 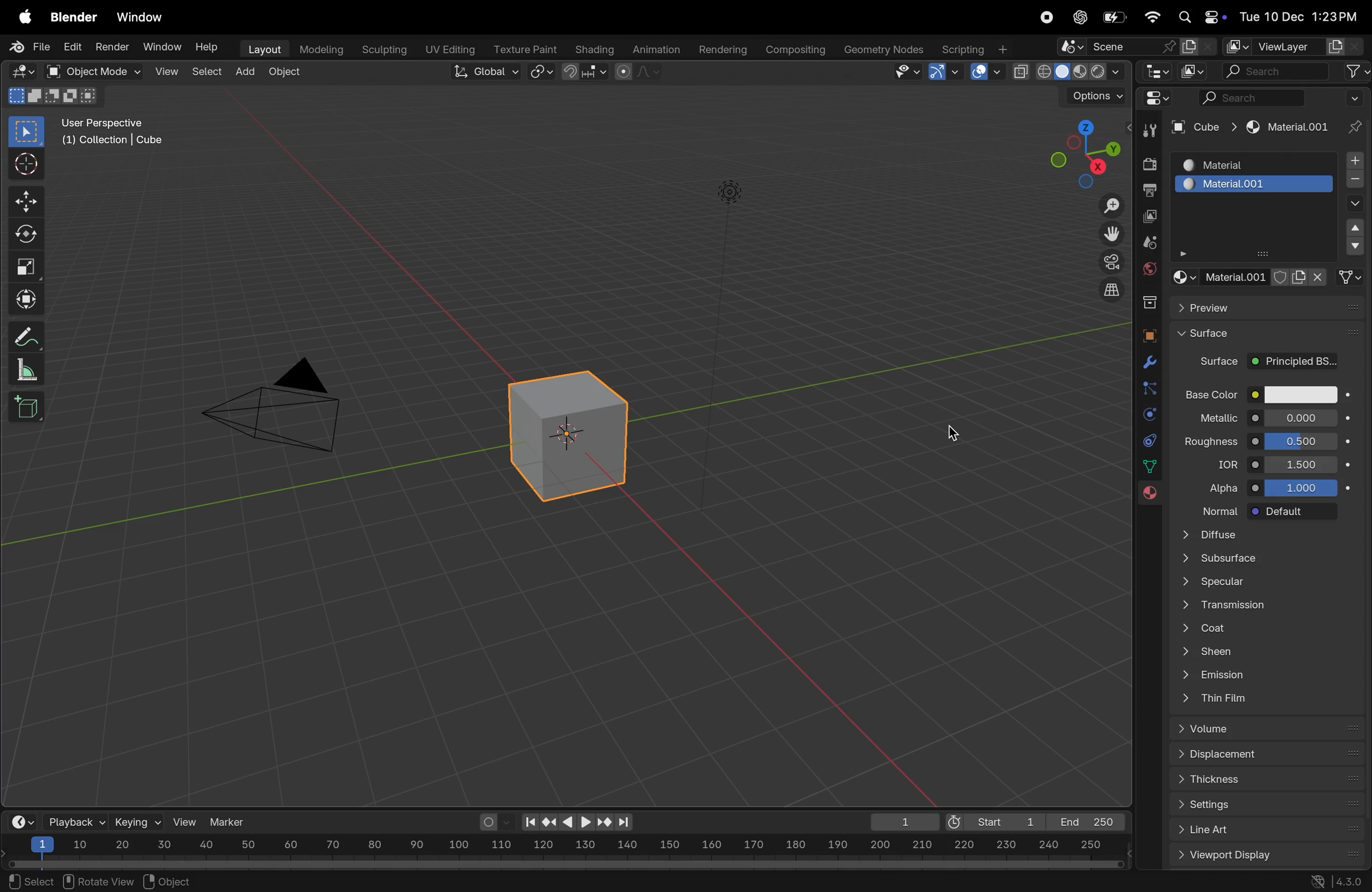 What do you see at coordinates (69, 48) in the screenshot?
I see `edit` at bounding box center [69, 48].